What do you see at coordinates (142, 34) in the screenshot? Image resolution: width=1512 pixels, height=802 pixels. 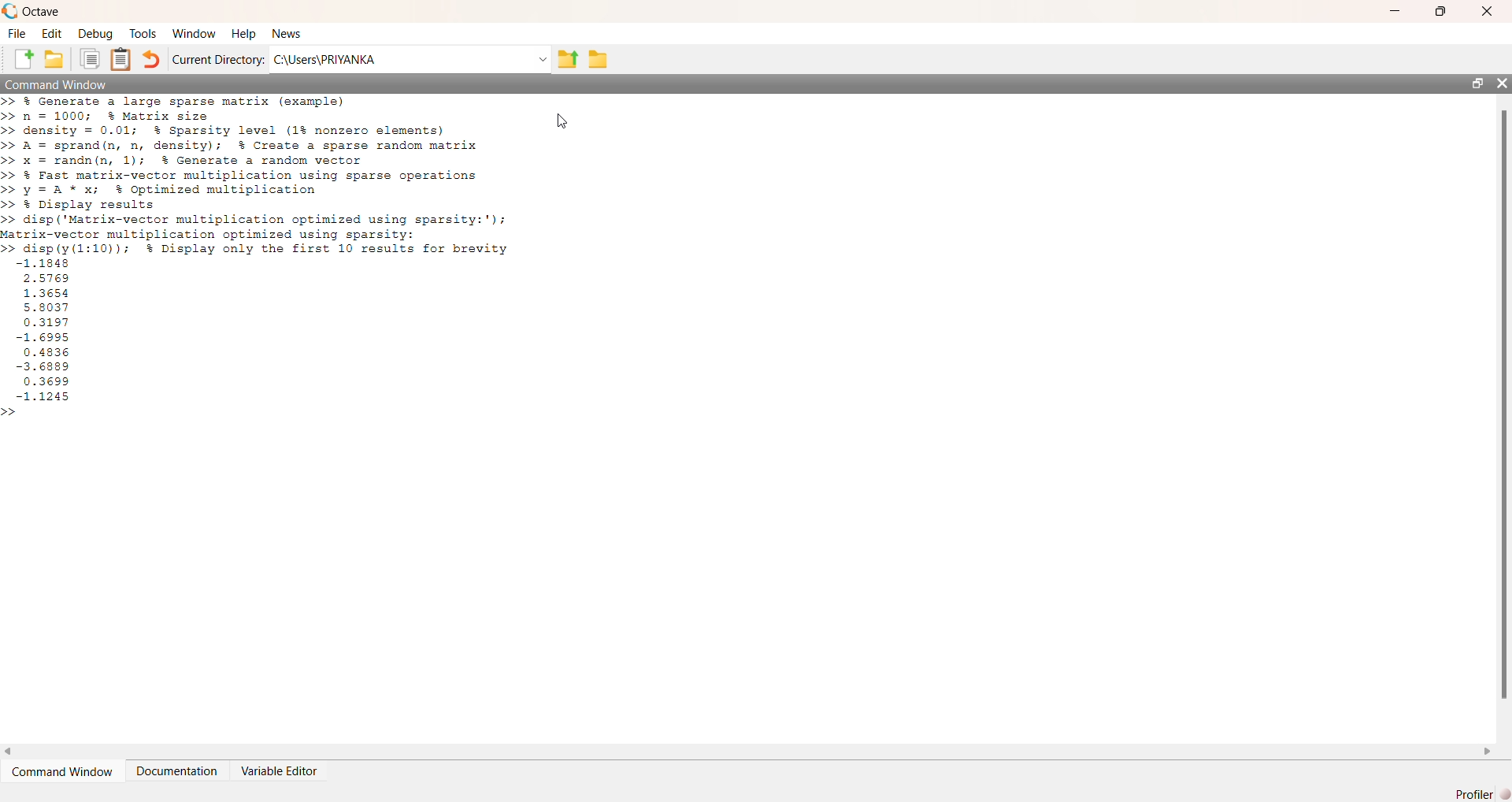 I see `tools` at bounding box center [142, 34].